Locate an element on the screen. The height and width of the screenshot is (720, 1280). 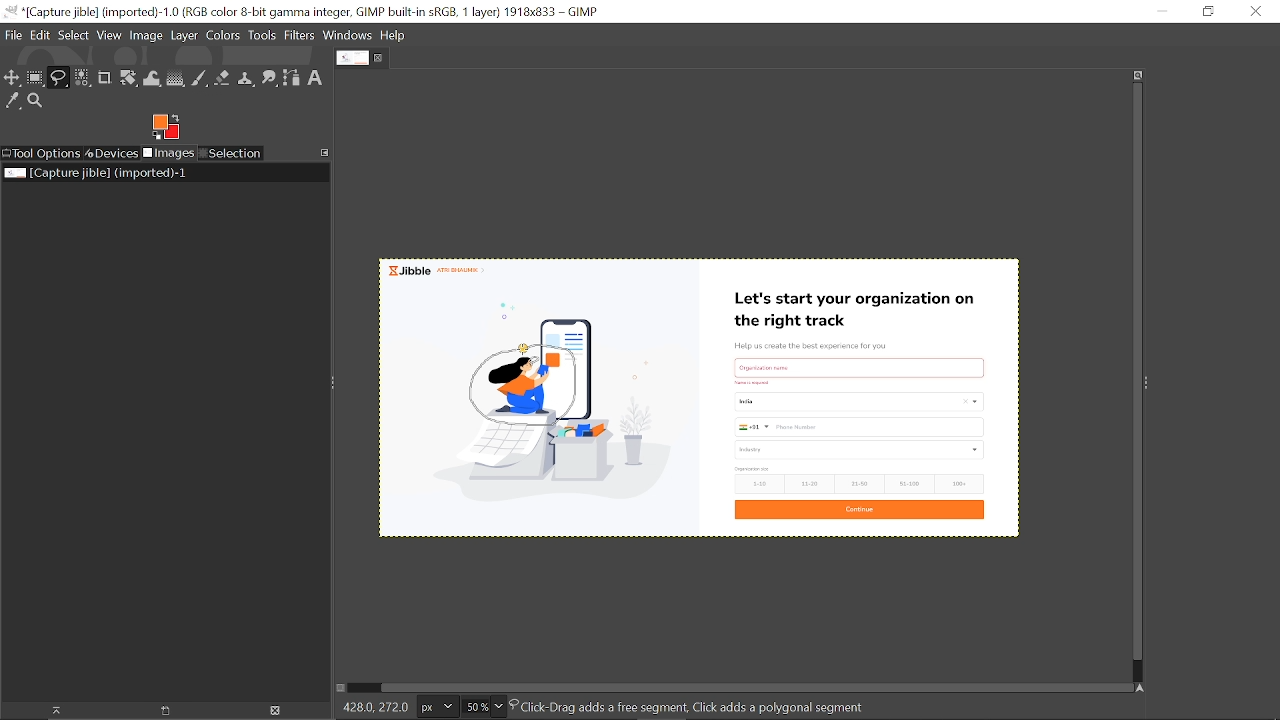
Color picker tool is located at coordinates (13, 102).